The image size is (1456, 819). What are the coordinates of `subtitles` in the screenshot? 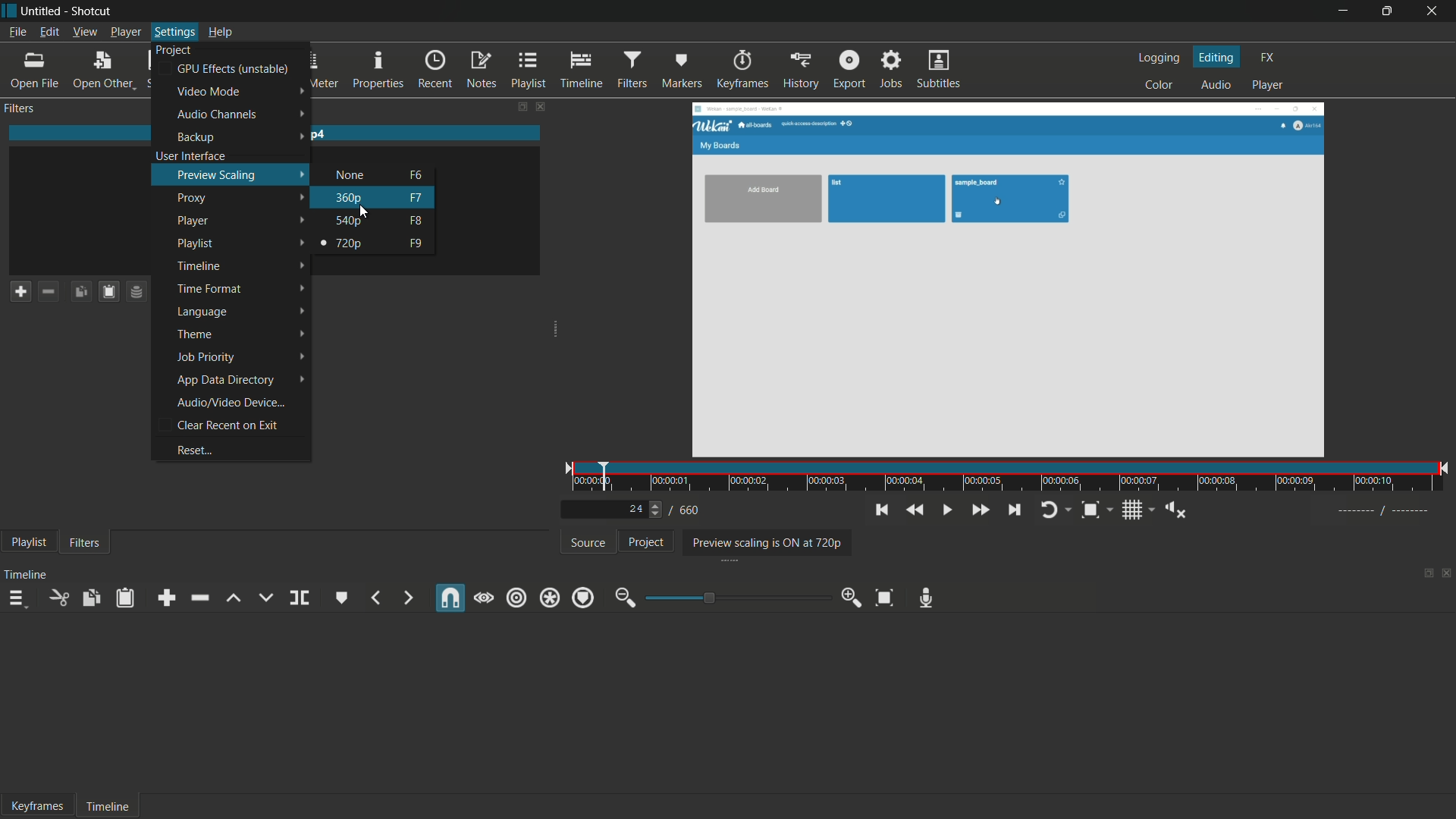 It's located at (939, 71).